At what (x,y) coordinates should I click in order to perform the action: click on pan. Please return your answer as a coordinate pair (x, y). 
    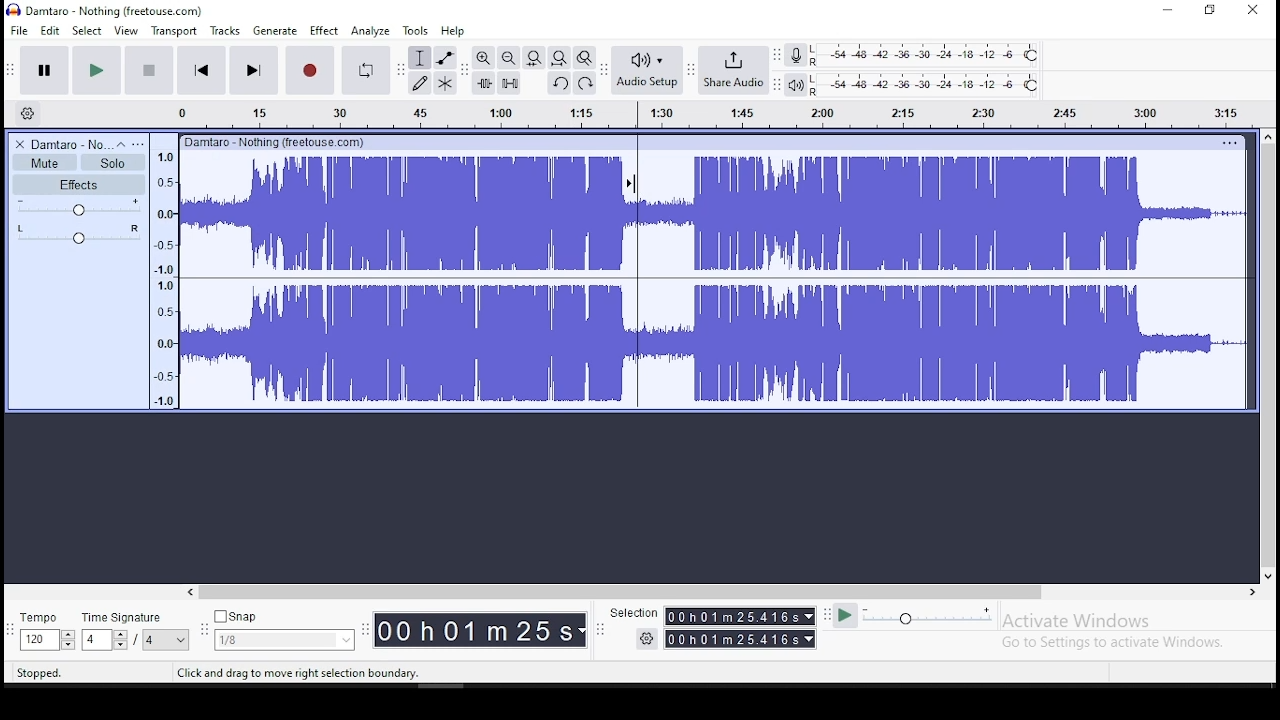
    Looking at the image, I should click on (78, 238).